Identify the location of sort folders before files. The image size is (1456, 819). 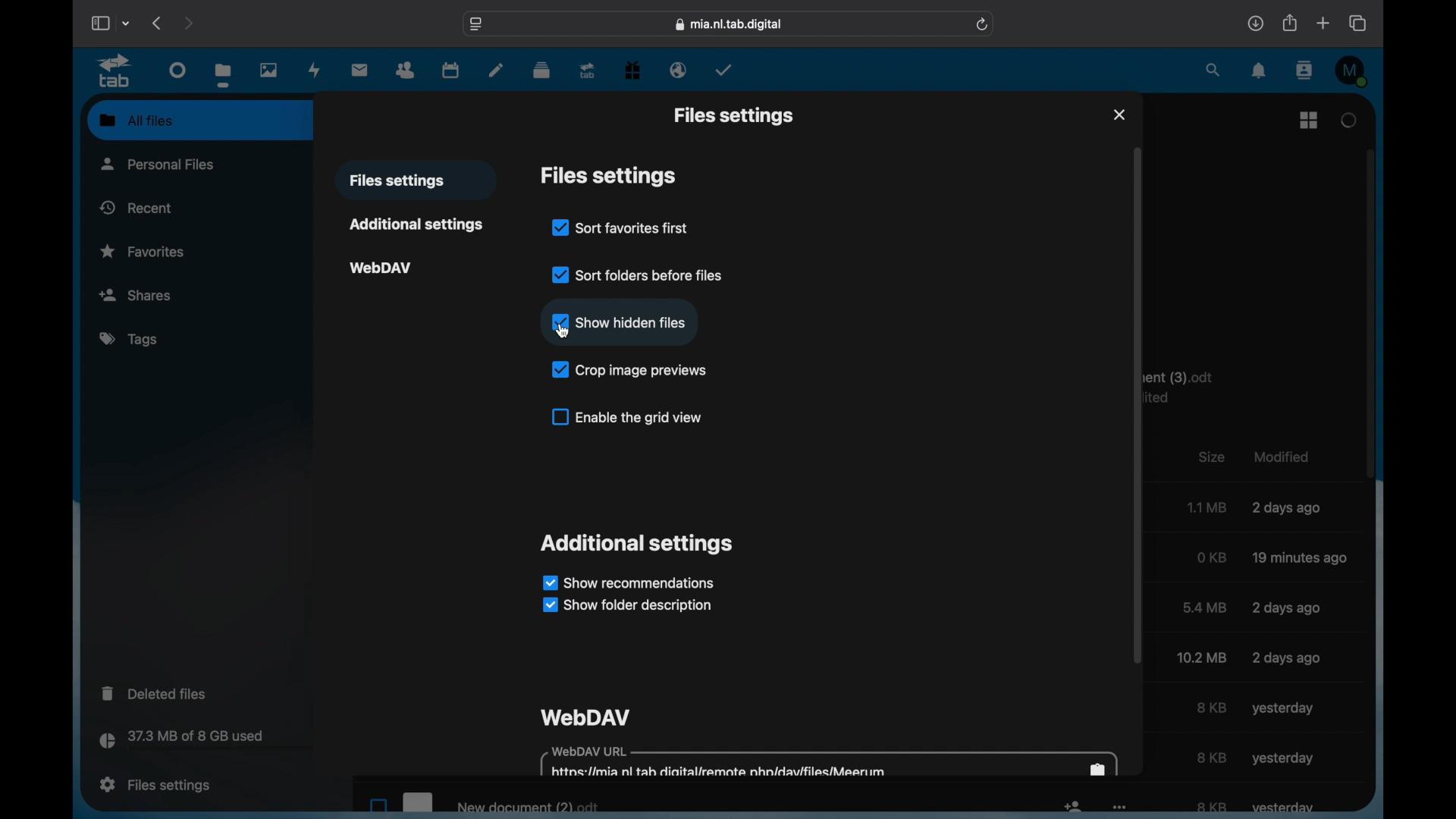
(636, 274).